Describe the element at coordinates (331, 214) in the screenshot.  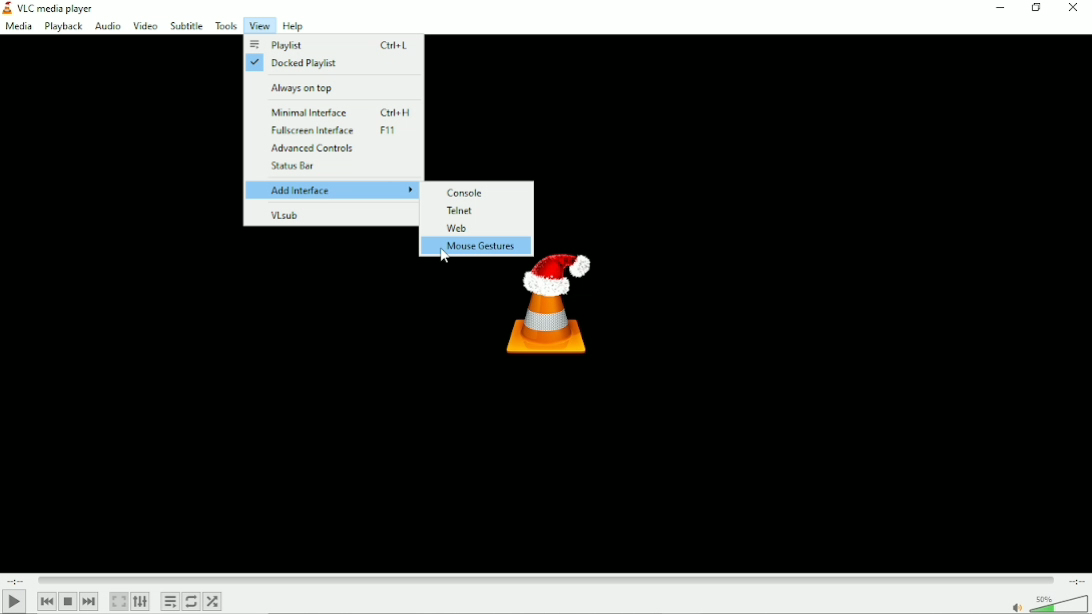
I see `VLsub` at that location.